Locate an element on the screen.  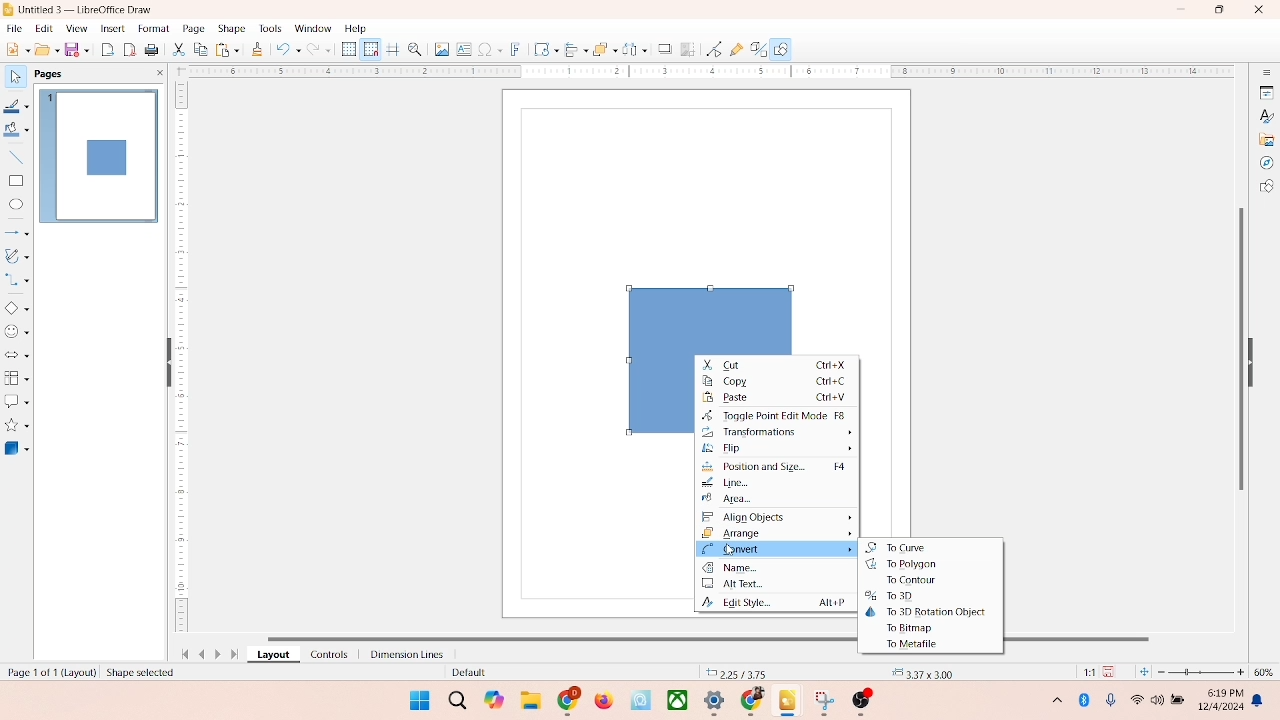
shapes is located at coordinates (1266, 188).